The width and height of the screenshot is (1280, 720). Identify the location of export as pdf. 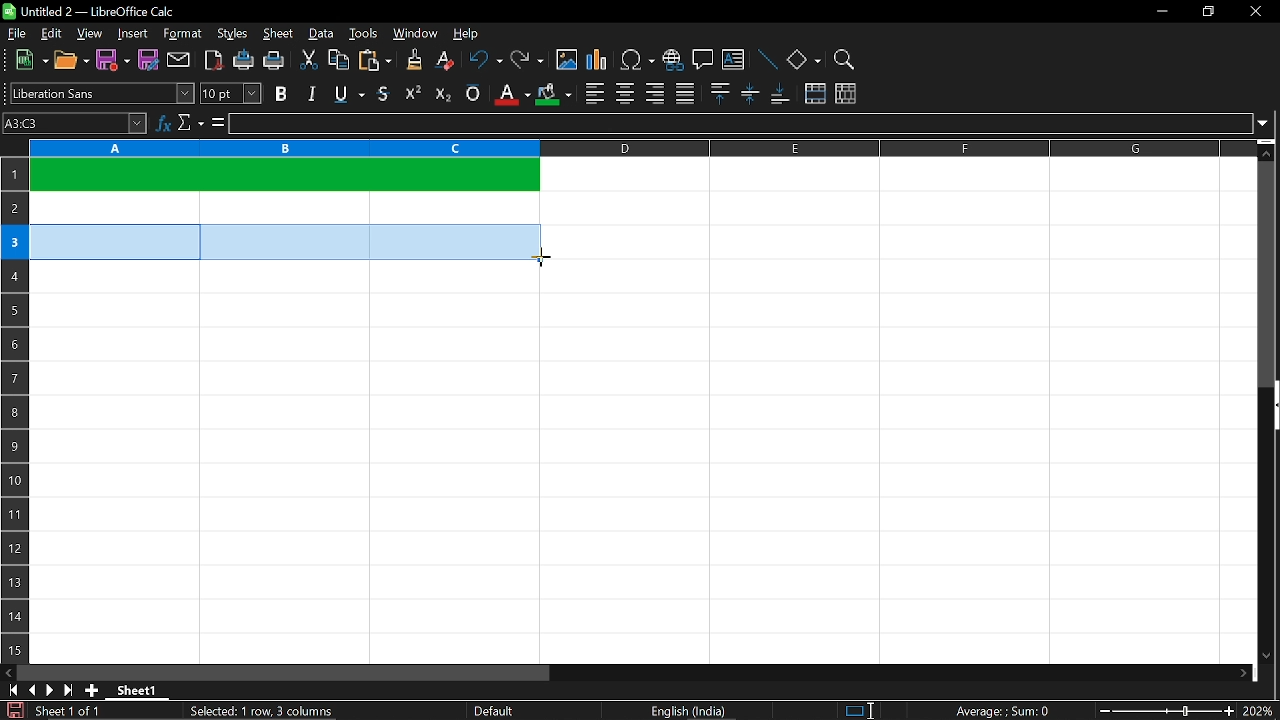
(210, 60).